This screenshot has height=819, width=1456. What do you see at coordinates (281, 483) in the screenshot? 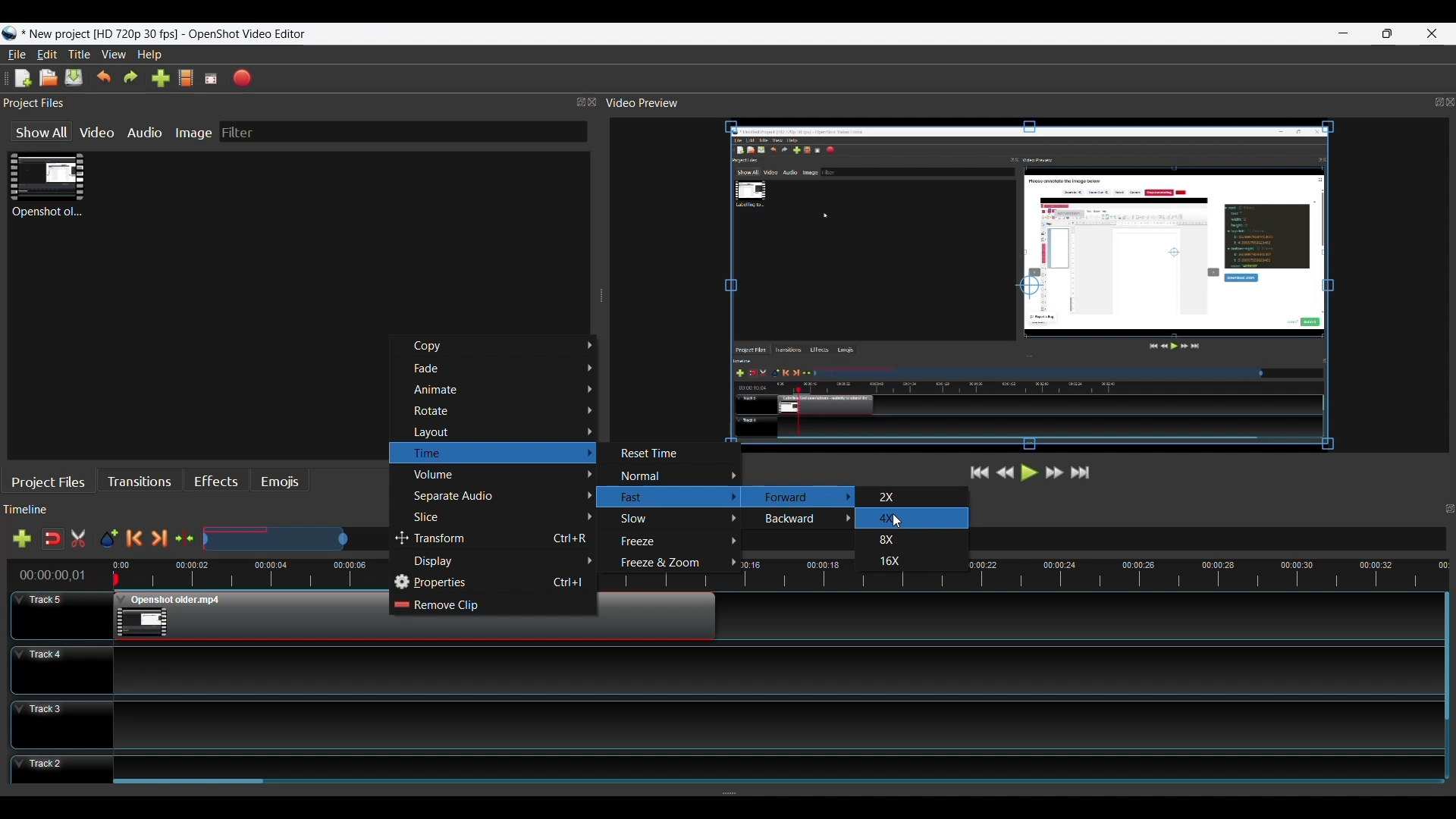
I see `Emojis` at bounding box center [281, 483].